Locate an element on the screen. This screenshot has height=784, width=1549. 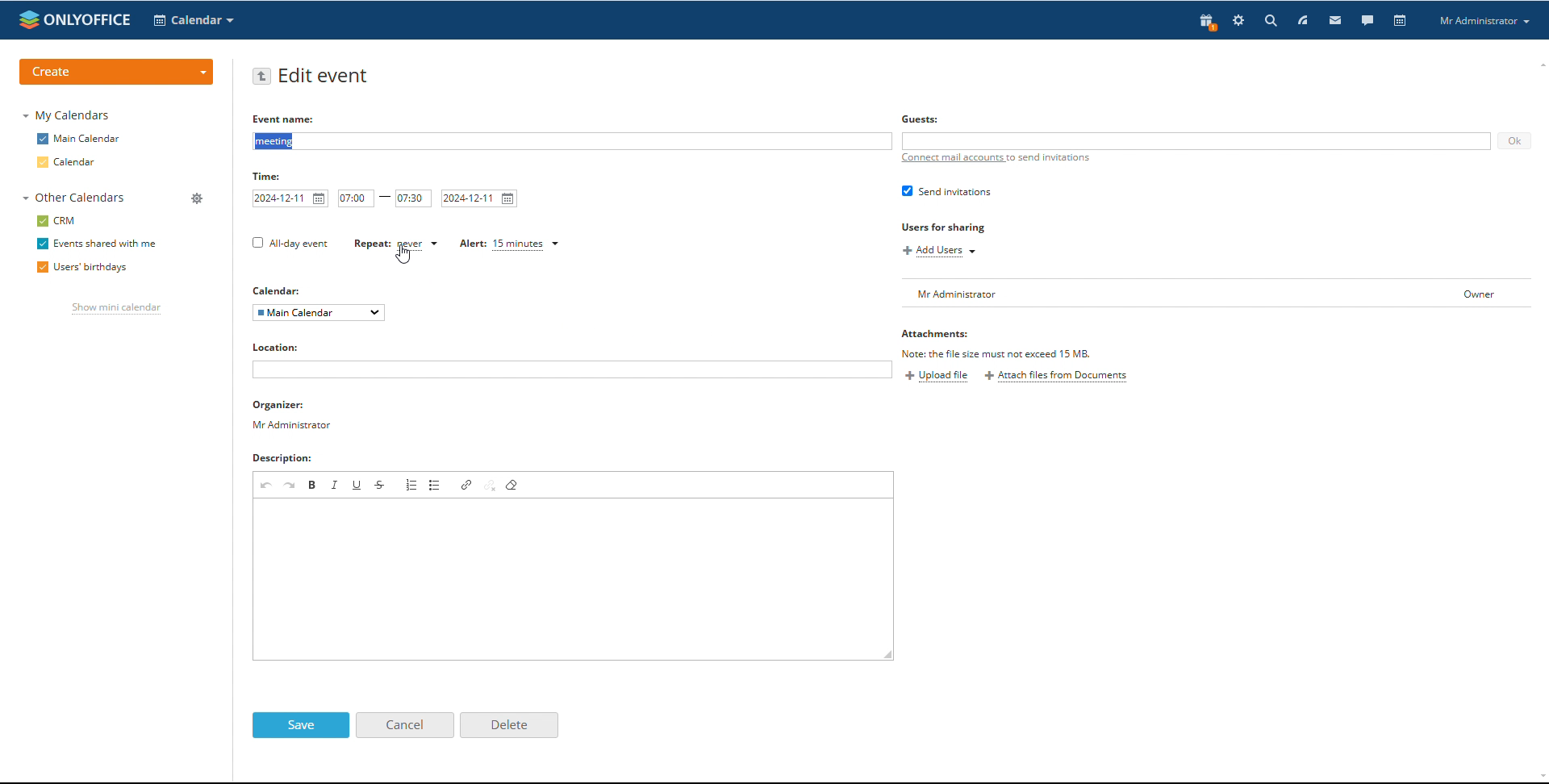
insert/remove bulleted list is located at coordinates (435, 484).